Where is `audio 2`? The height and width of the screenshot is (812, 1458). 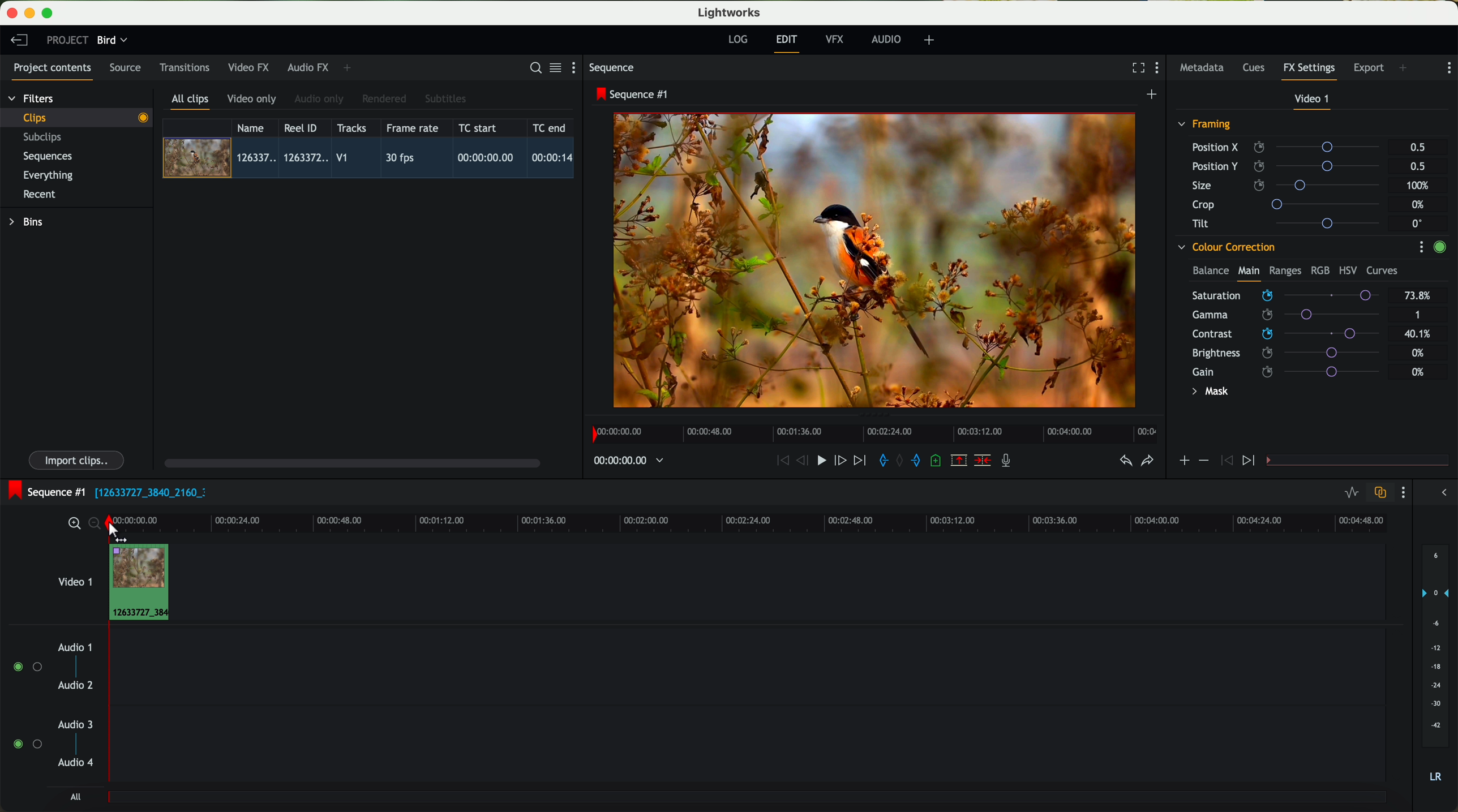
audio 2 is located at coordinates (76, 686).